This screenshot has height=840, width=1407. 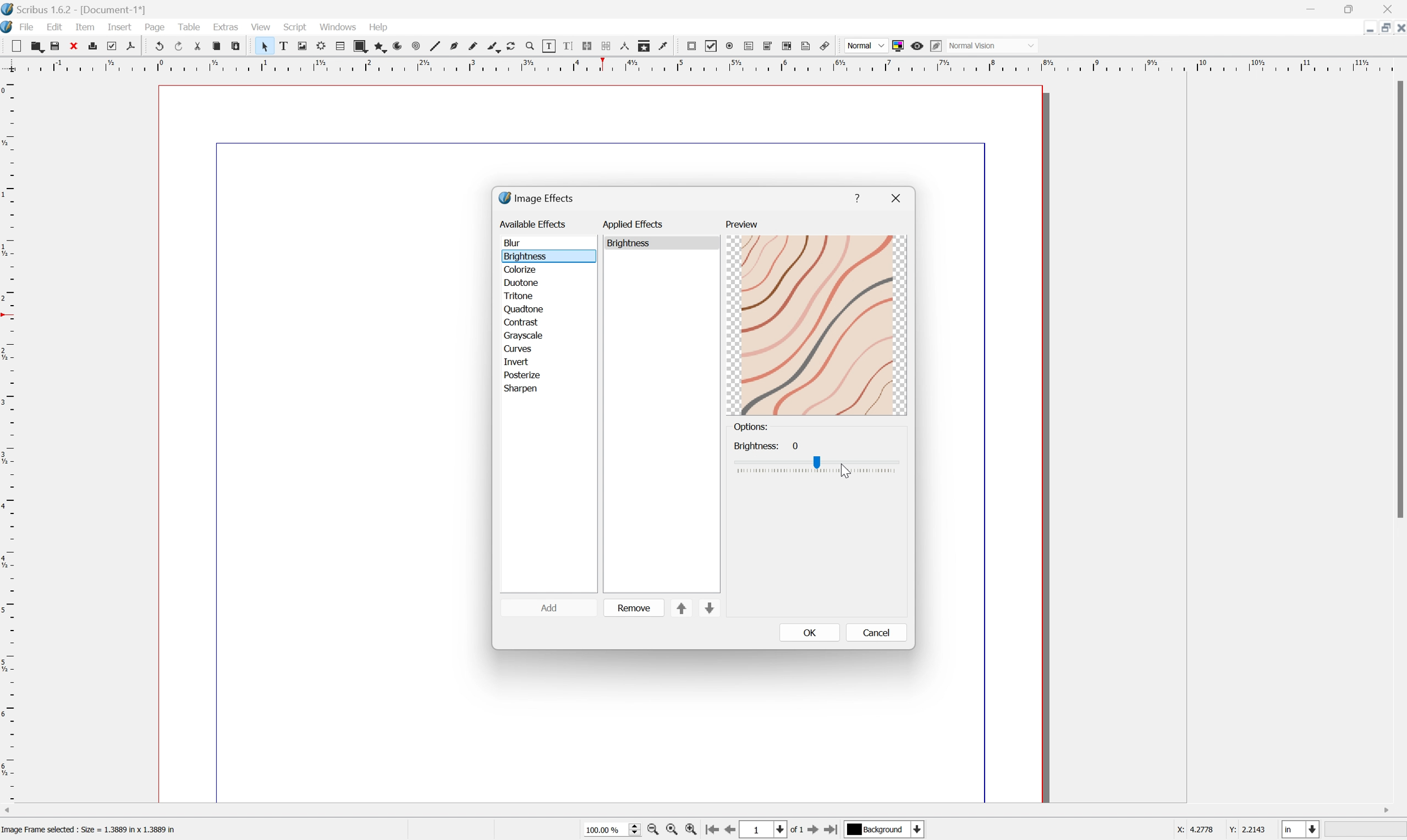 What do you see at coordinates (713, 829) in the screenshot?
I see `First Page` at bounding box center [713, 829].